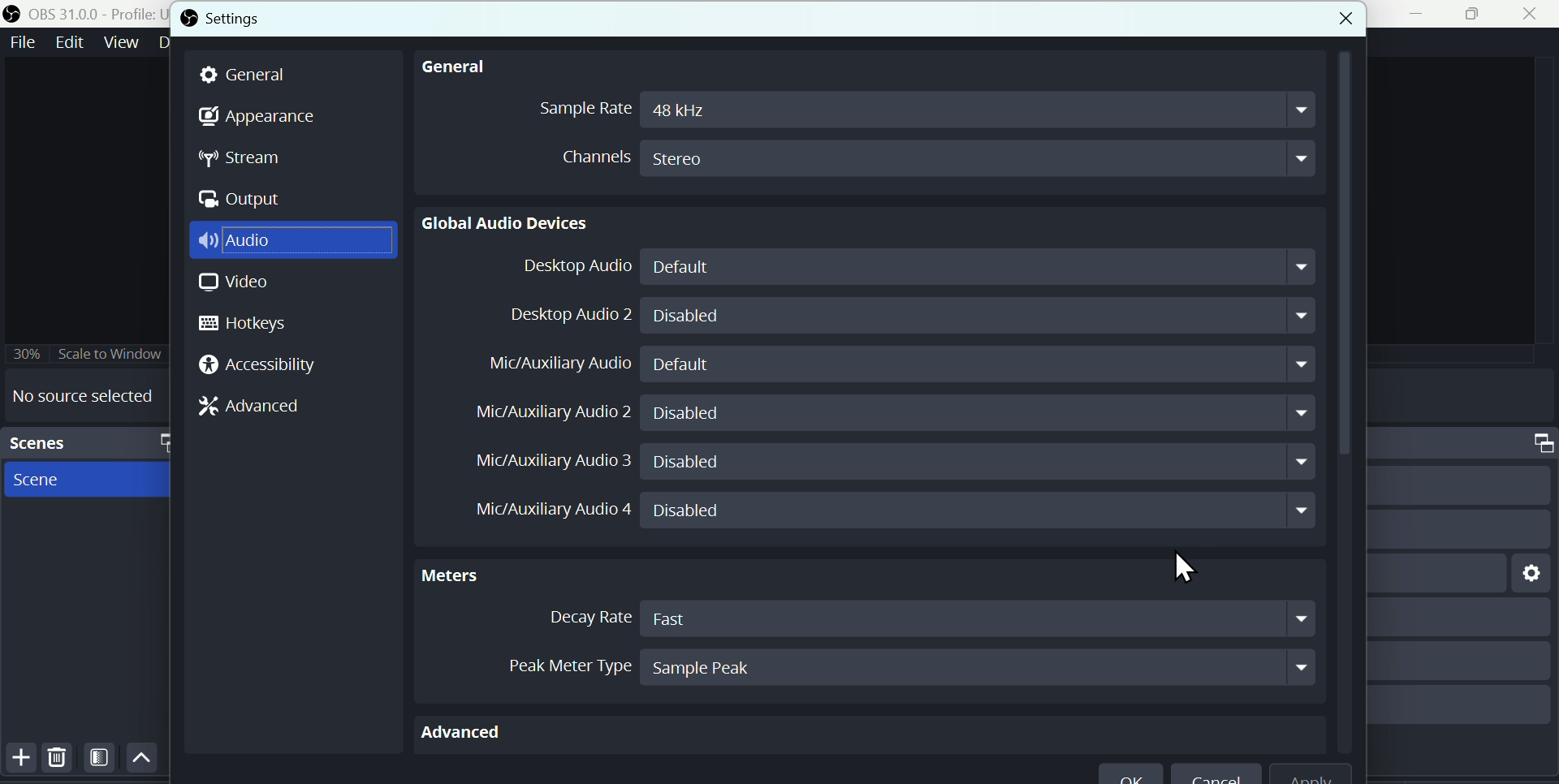  What do you see at coordinates (546, 459) in the screenshot?
I see `Mic/Auxiliary Audio 3` at bounding box center [546, 459].